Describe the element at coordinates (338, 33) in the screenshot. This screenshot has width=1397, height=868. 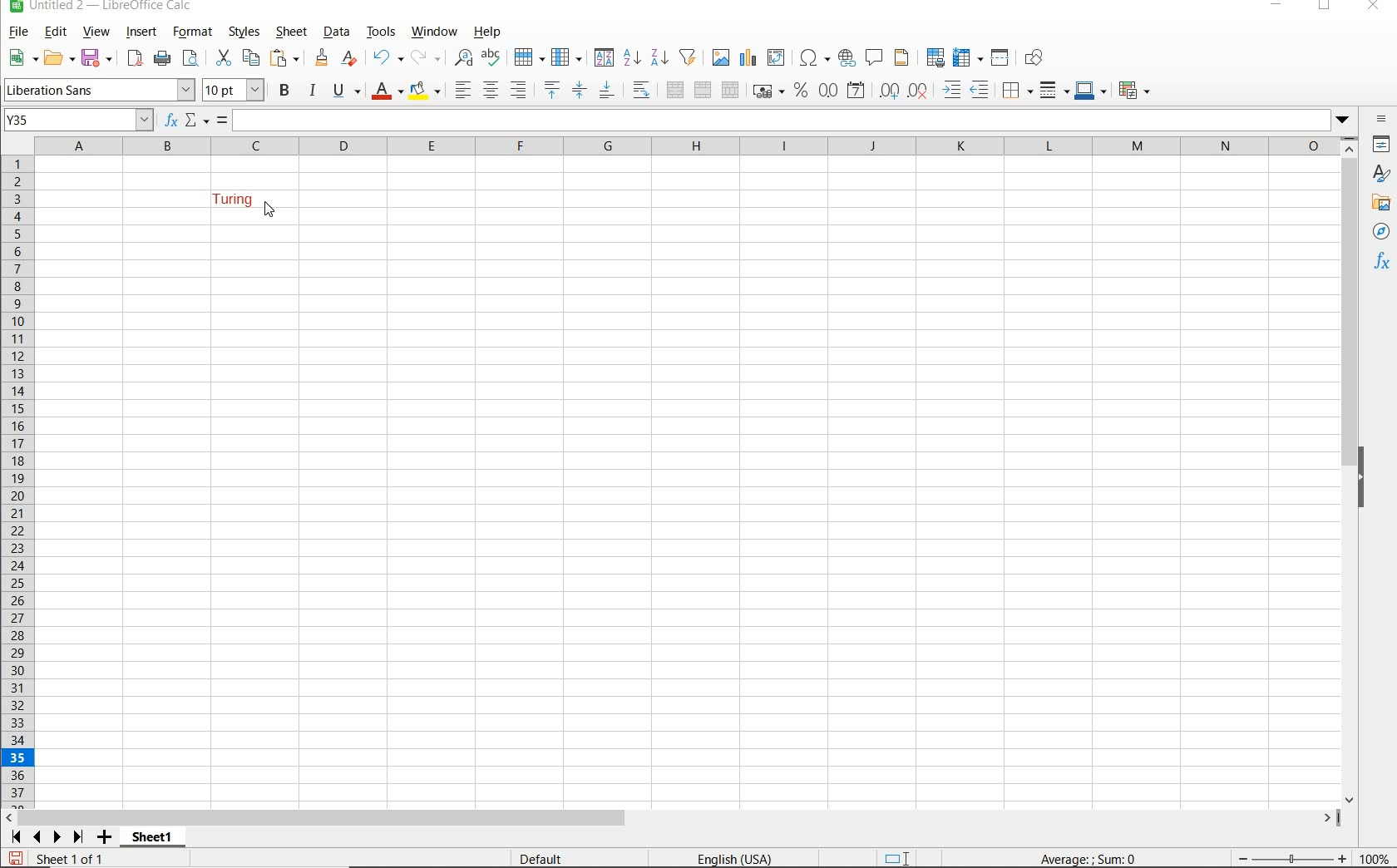
I see `DATA` at that location.